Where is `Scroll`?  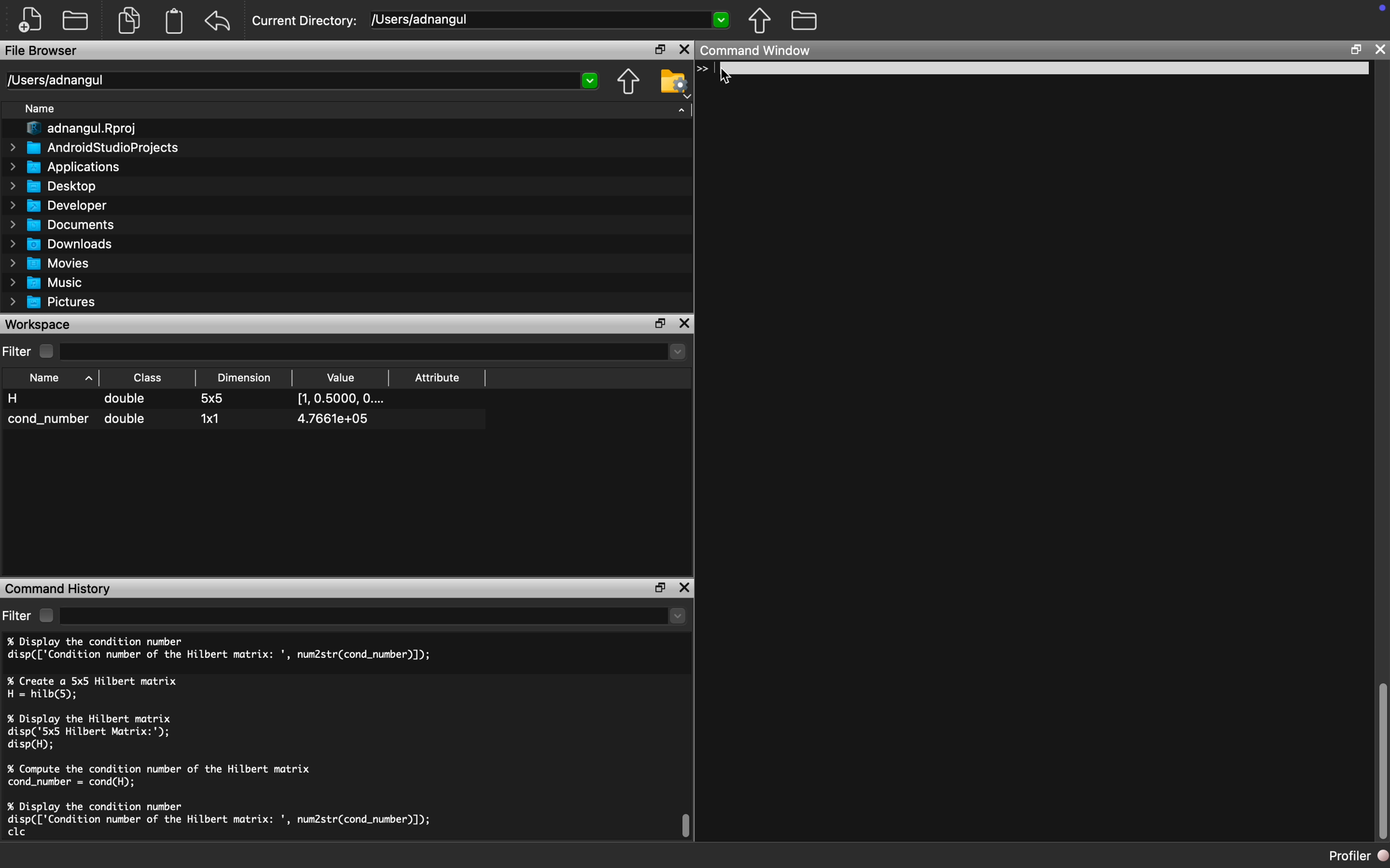 Scroll is located at coordinates (687, 827).